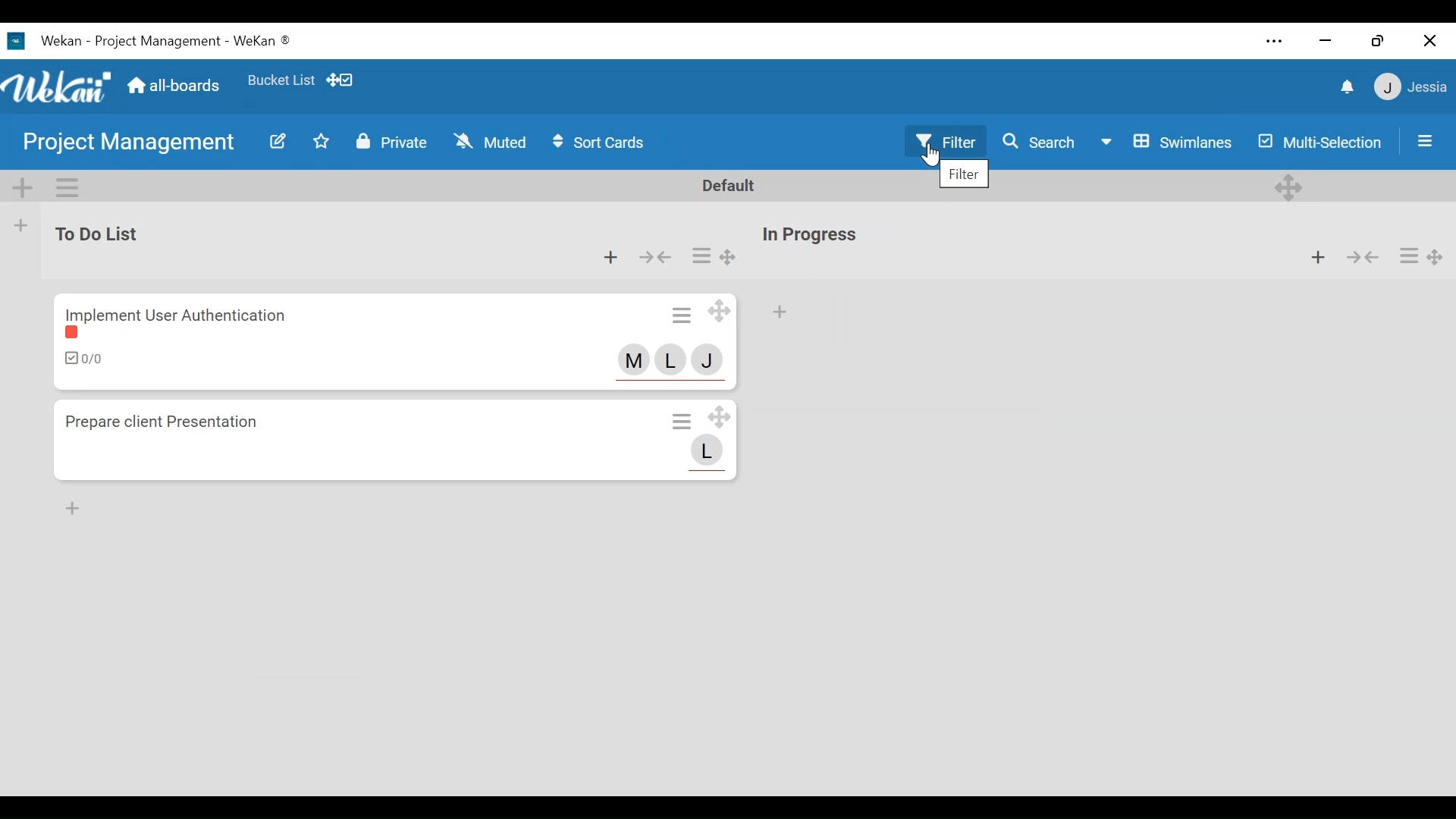  Describe the element at coordinates (1436, 256) in the screenshot. I see `Desktop drag handles` at that location.